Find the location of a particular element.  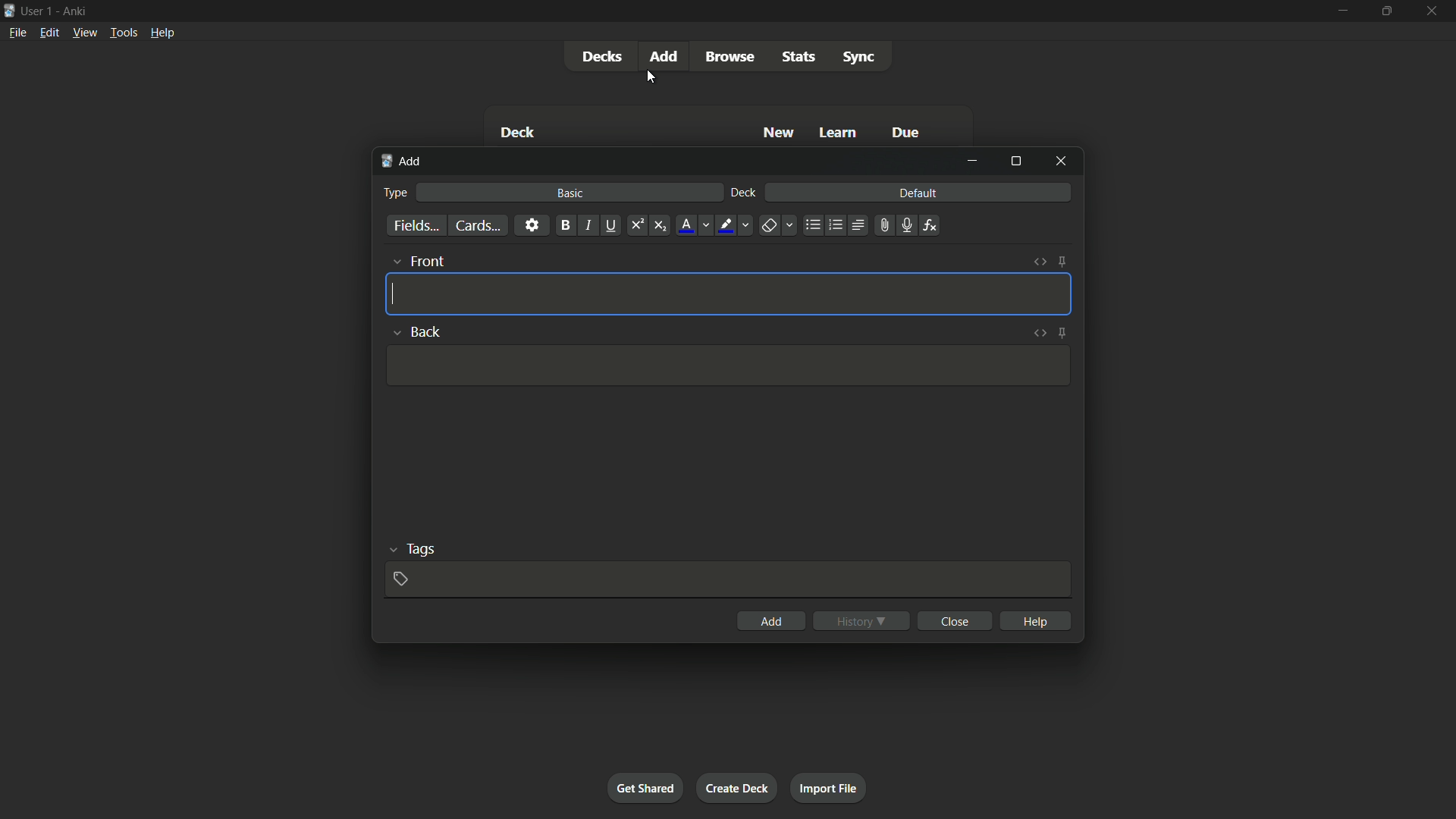

sync is located at coordinates (859, 58).